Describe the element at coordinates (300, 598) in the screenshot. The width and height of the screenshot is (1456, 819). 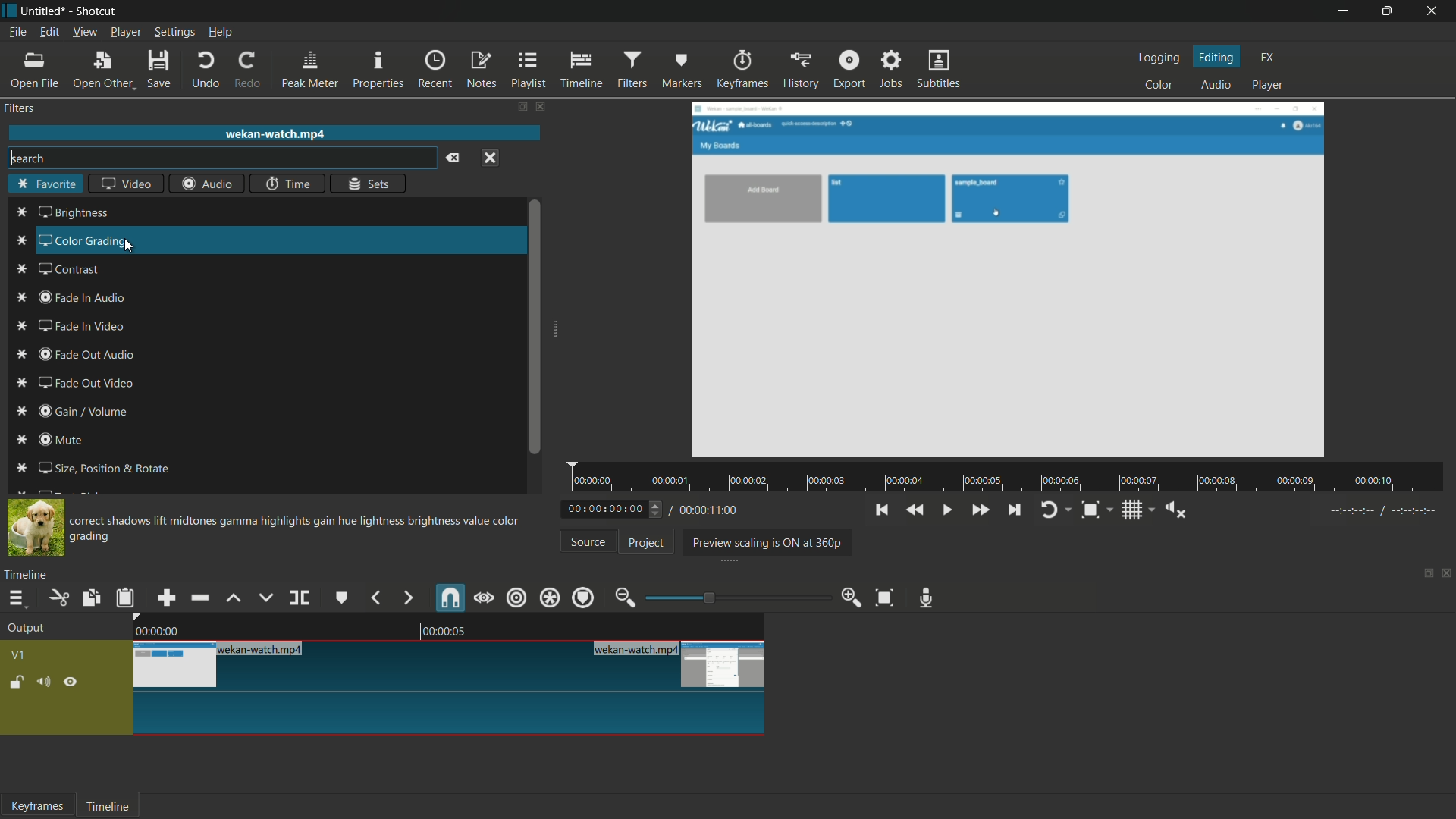
I see `split at playhead` at that location.